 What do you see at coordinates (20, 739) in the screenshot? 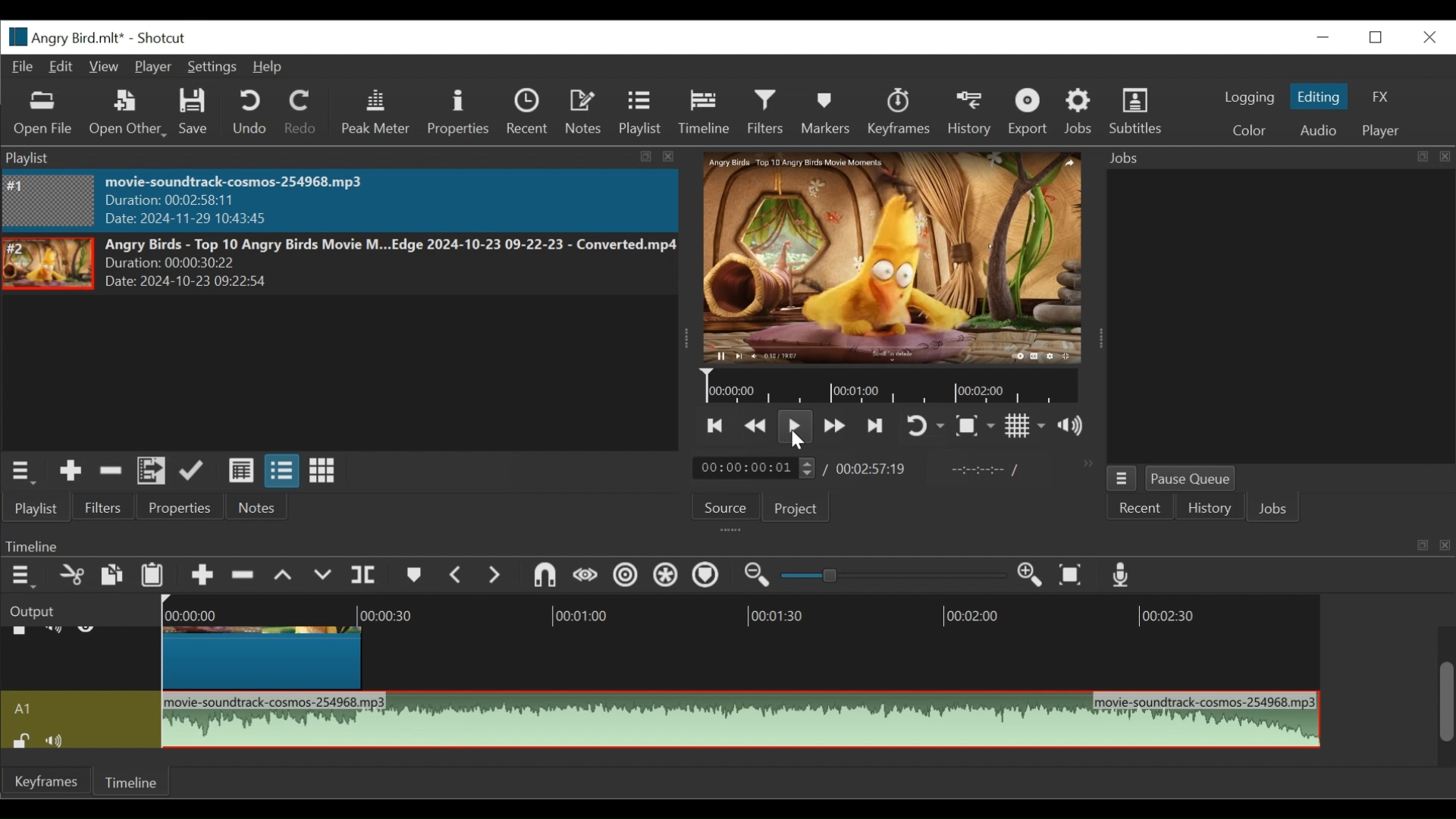
I see `(un)lock track` at bounding box center [20, 739].